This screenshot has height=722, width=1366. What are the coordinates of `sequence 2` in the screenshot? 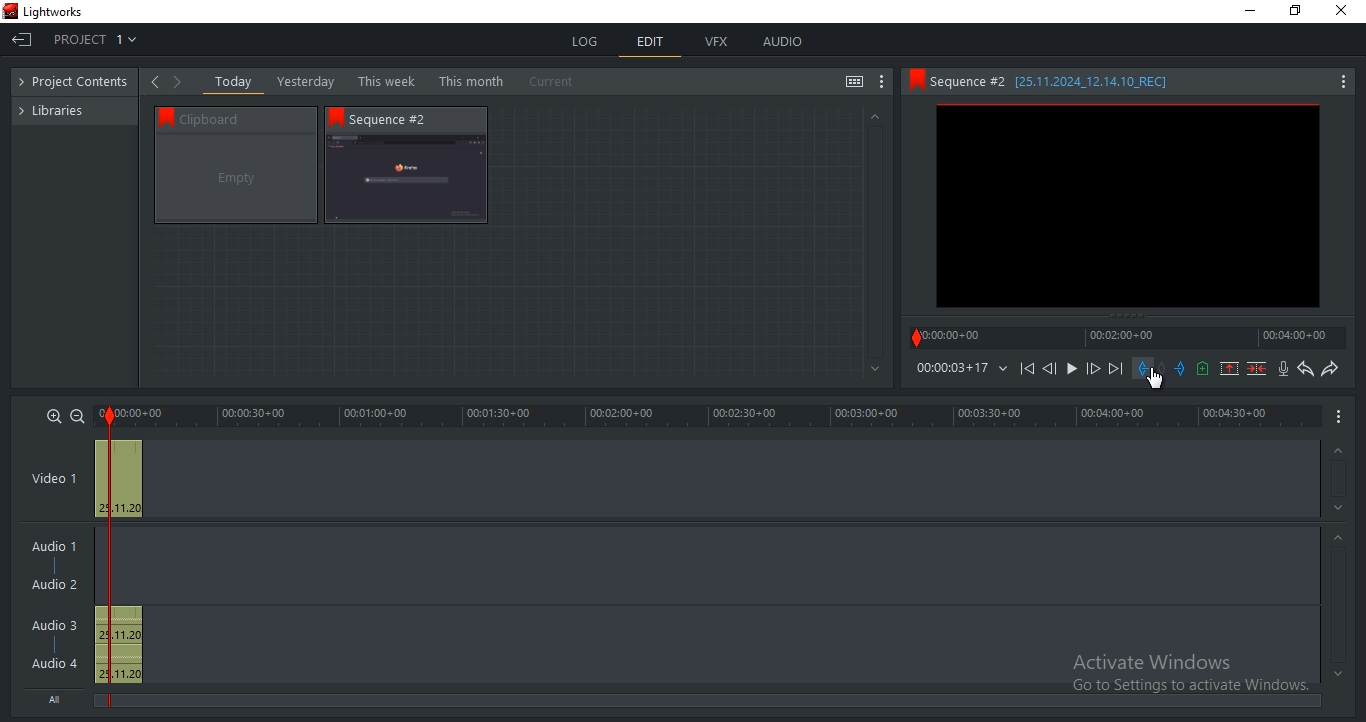 It's located at (406, 180).